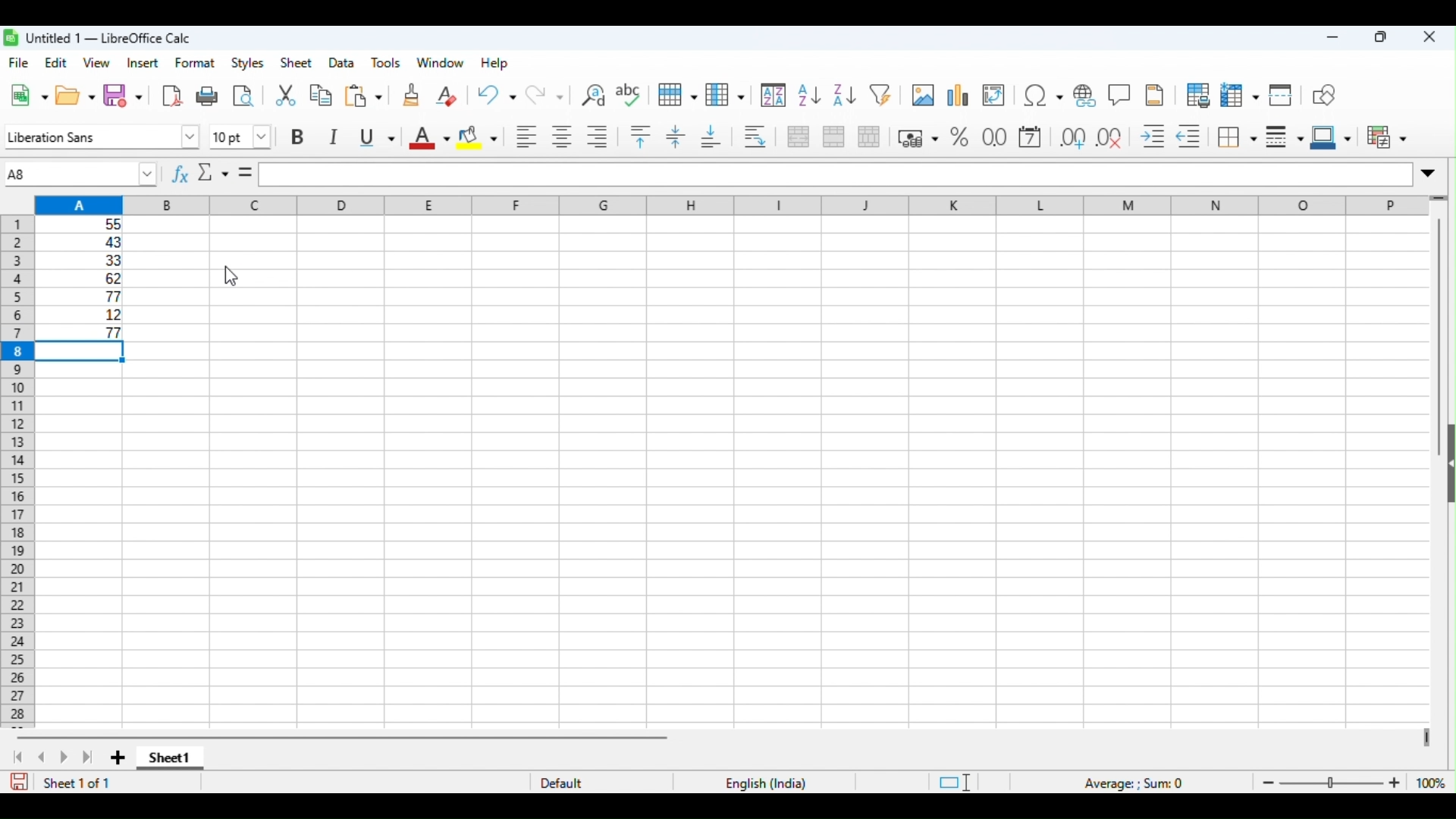  What do you see at coordinates (924, 93) in the screenshot?
I see `insert image` at bounding box center [924, 93].